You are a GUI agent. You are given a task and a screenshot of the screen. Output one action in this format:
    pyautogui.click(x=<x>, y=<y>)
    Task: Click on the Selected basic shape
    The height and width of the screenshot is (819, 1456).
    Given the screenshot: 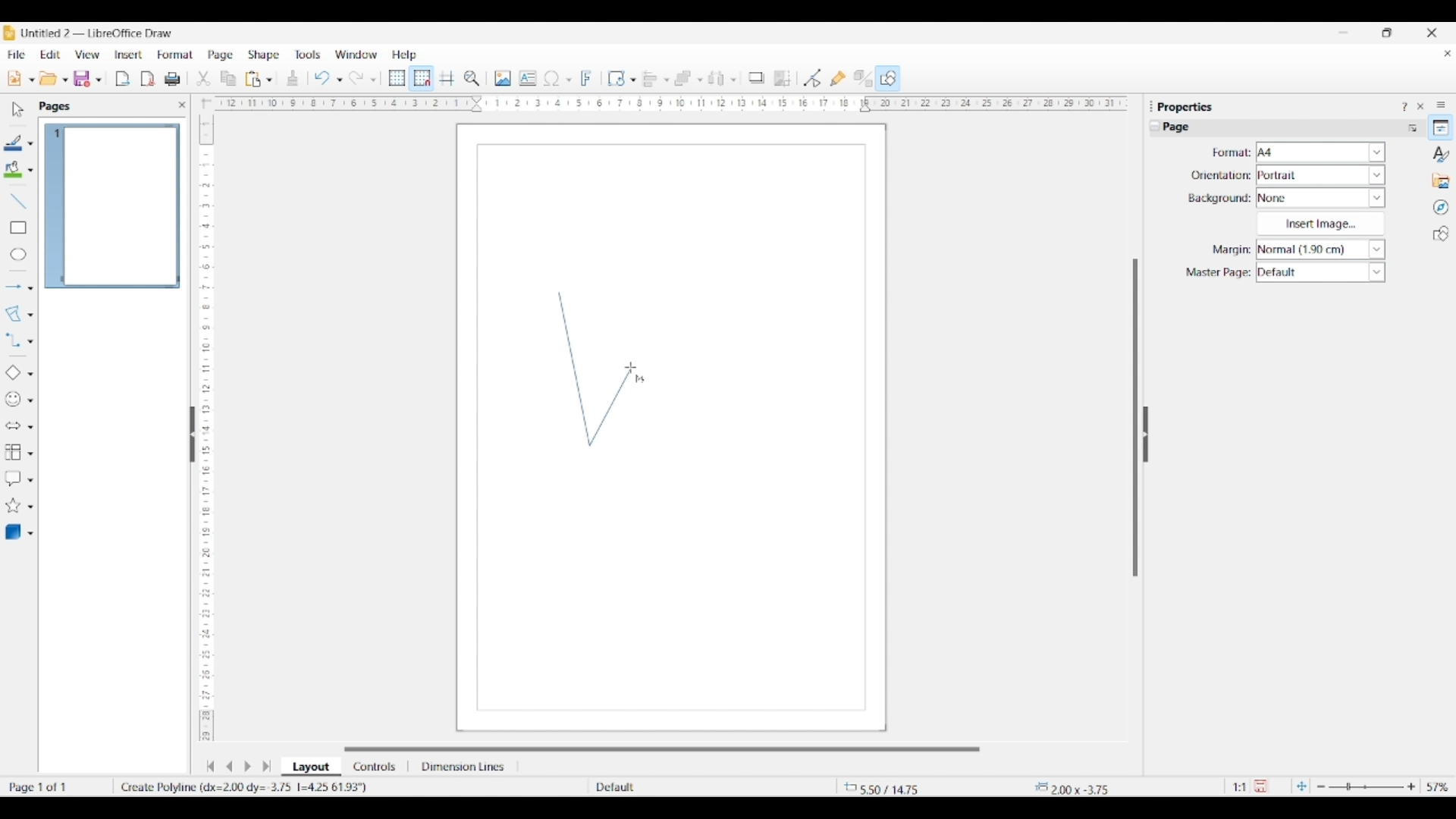 What is the action you would take?
    pyautogui.click(x=12, y=373)
    